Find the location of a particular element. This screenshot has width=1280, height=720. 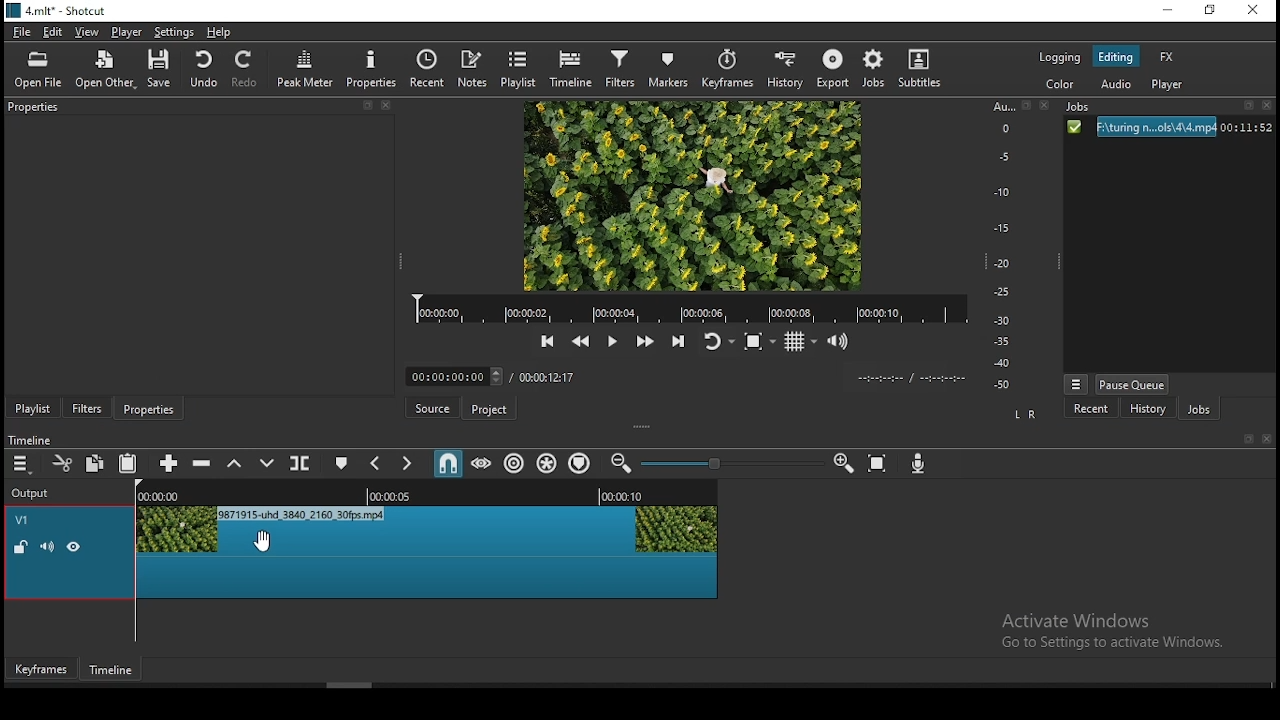

view is located at coordinates (84, 31).